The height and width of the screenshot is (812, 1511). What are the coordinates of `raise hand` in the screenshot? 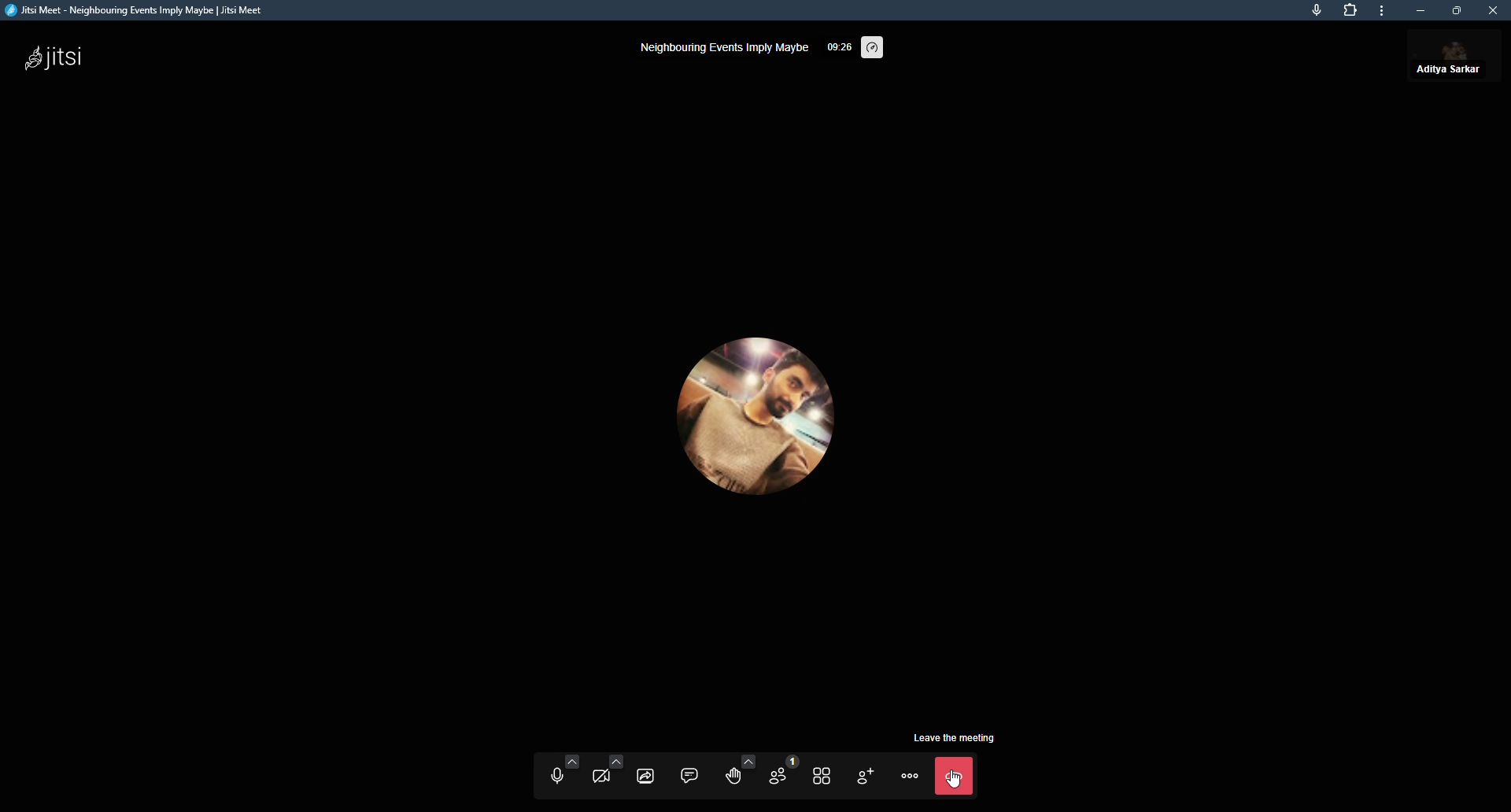 It's located at (734, 770).